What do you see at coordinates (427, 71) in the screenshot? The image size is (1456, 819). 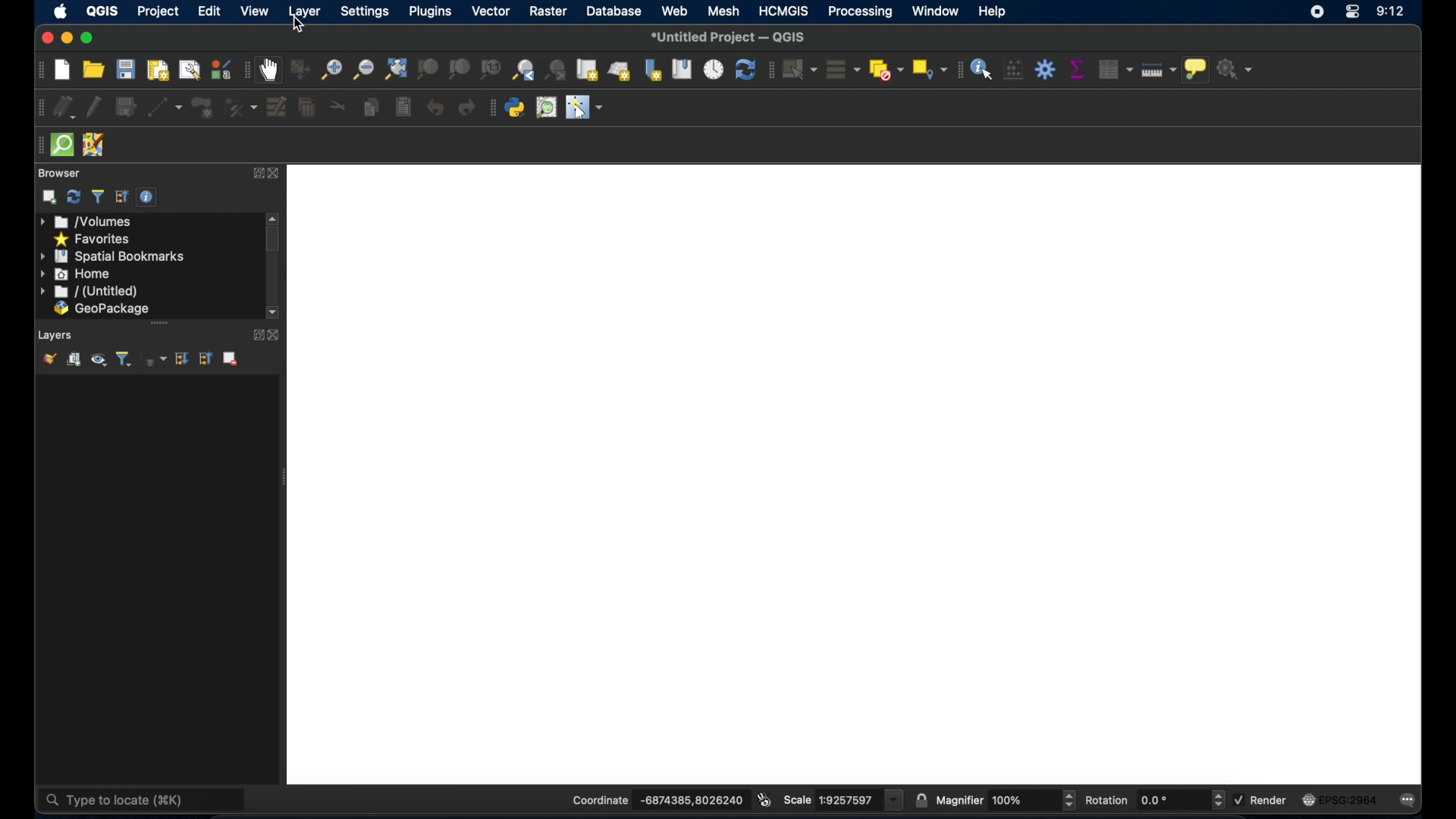 I see `zoom to selection` at bounding box center [427, 71].